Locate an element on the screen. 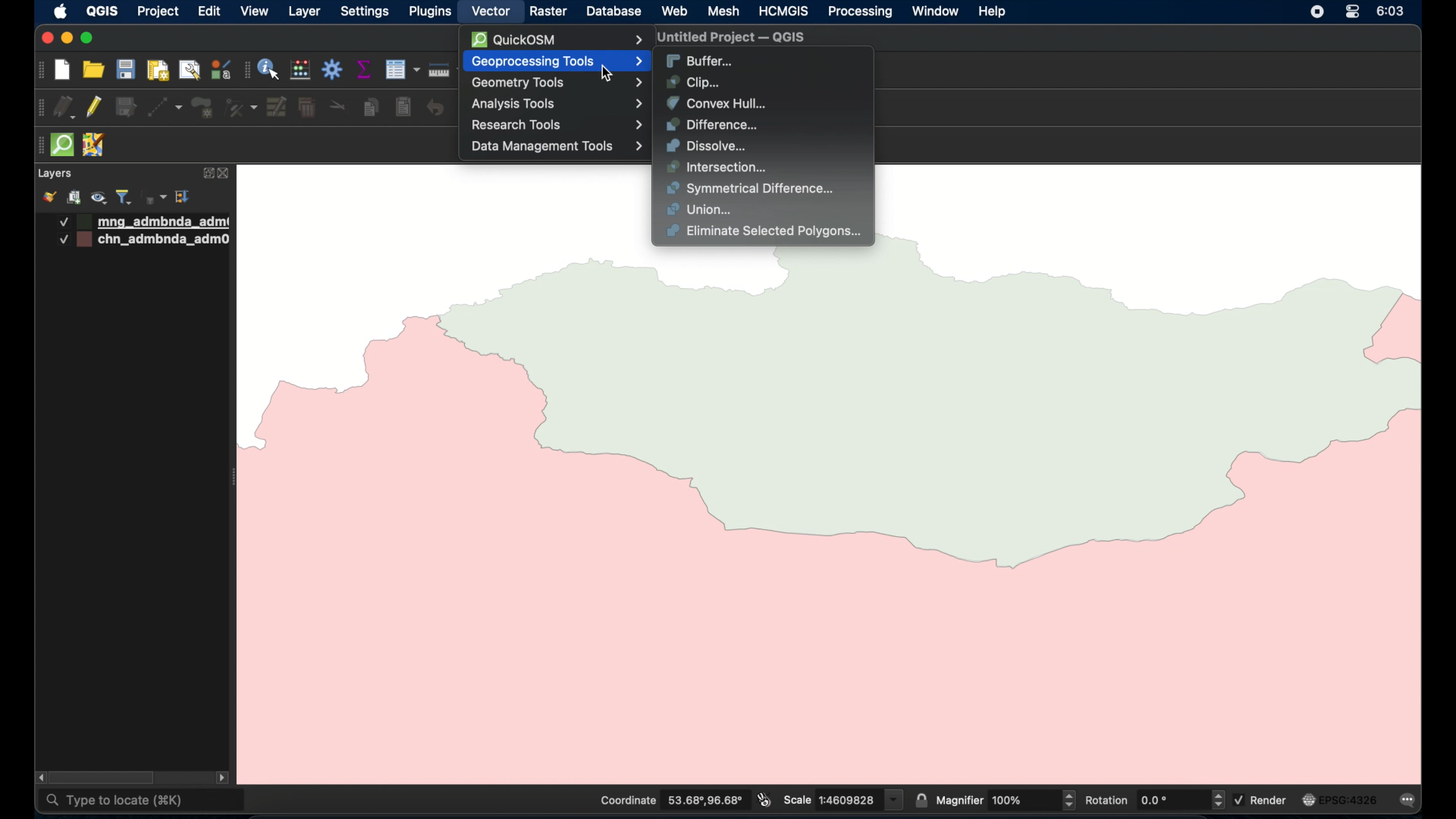  convex. hull is located at coordinates (716, 103).